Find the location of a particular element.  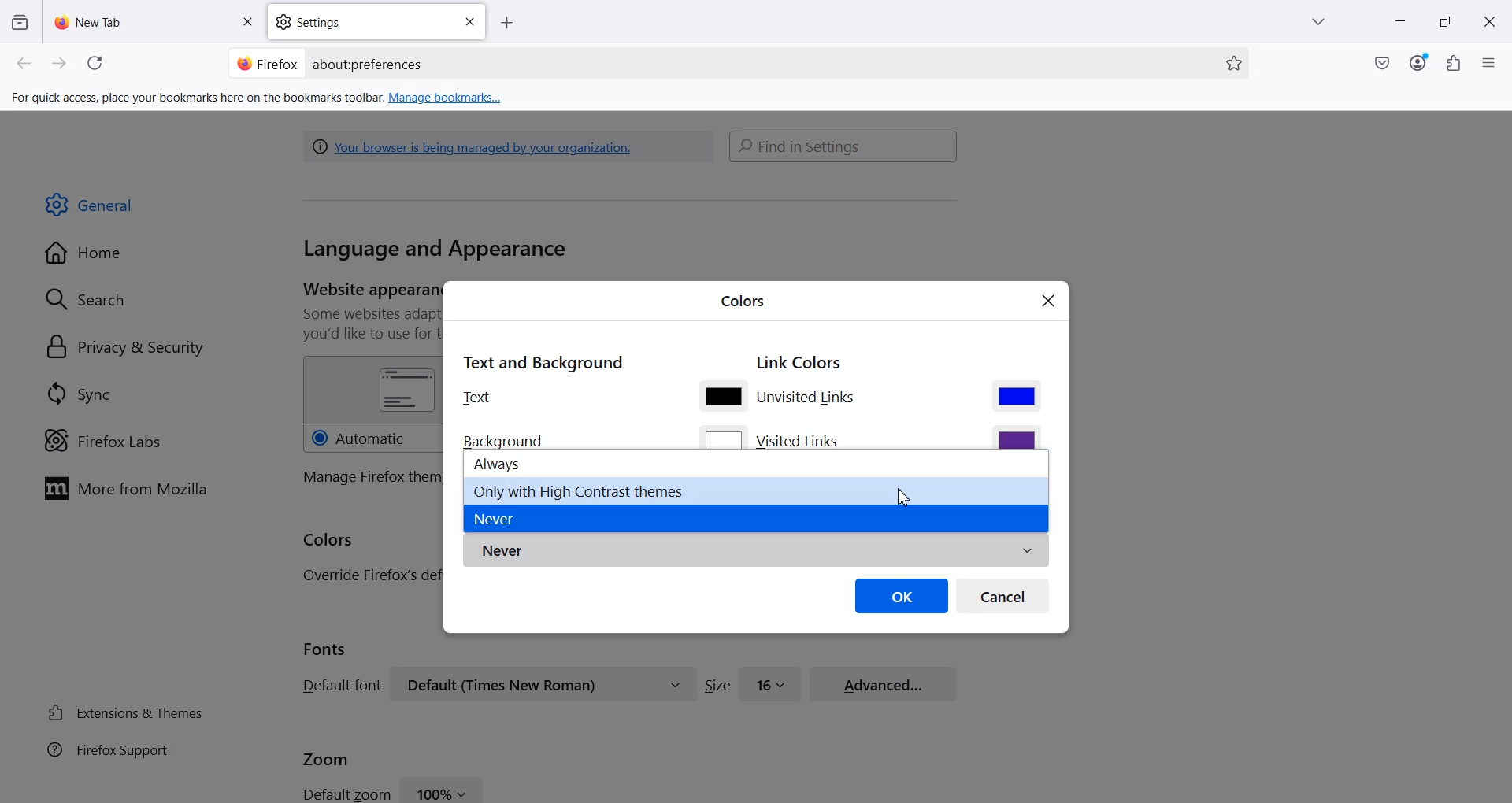

Colors is located at coordinates (743, 299).